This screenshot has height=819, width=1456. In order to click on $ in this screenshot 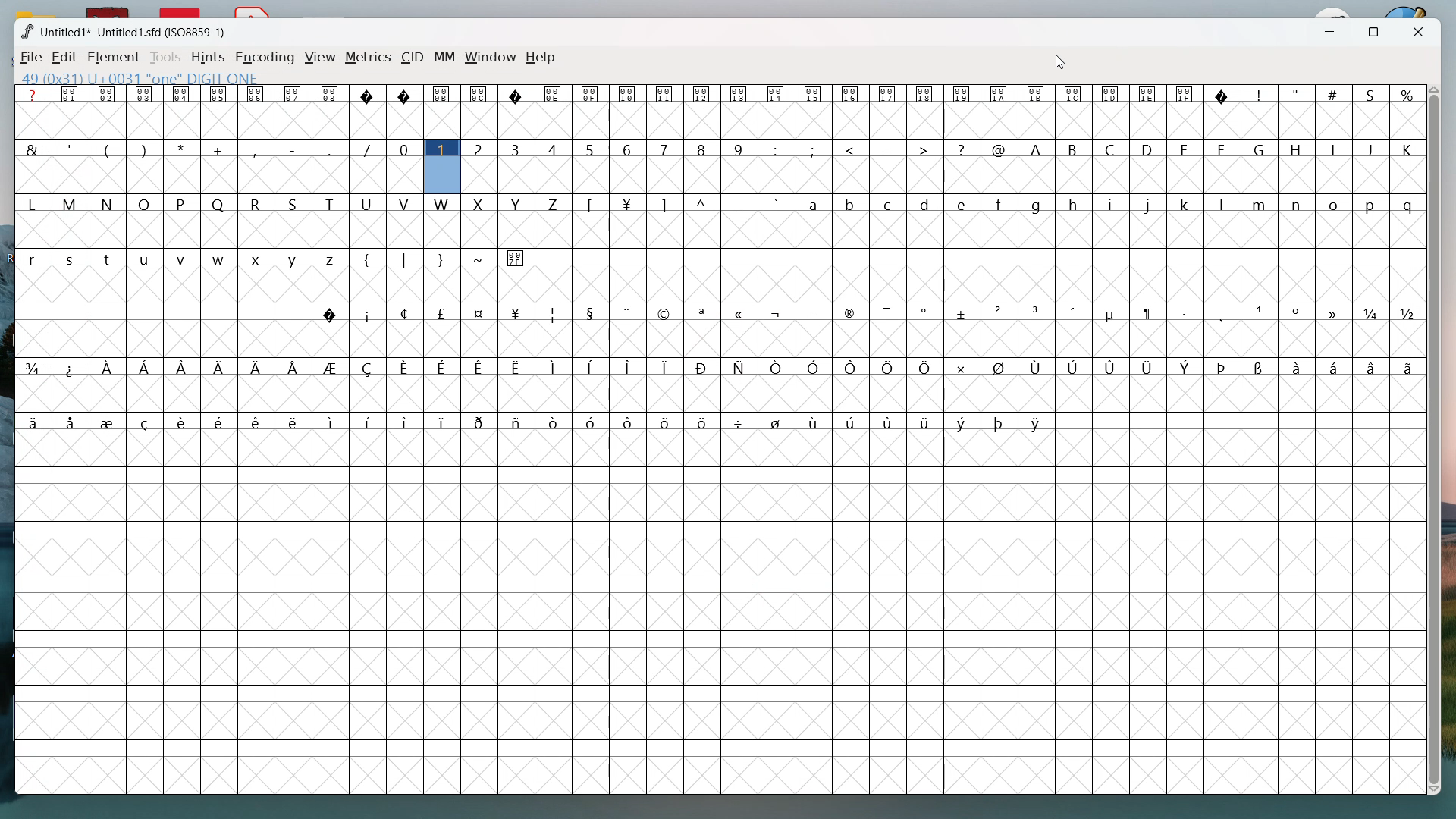, I will do `click(1369, 93)`.